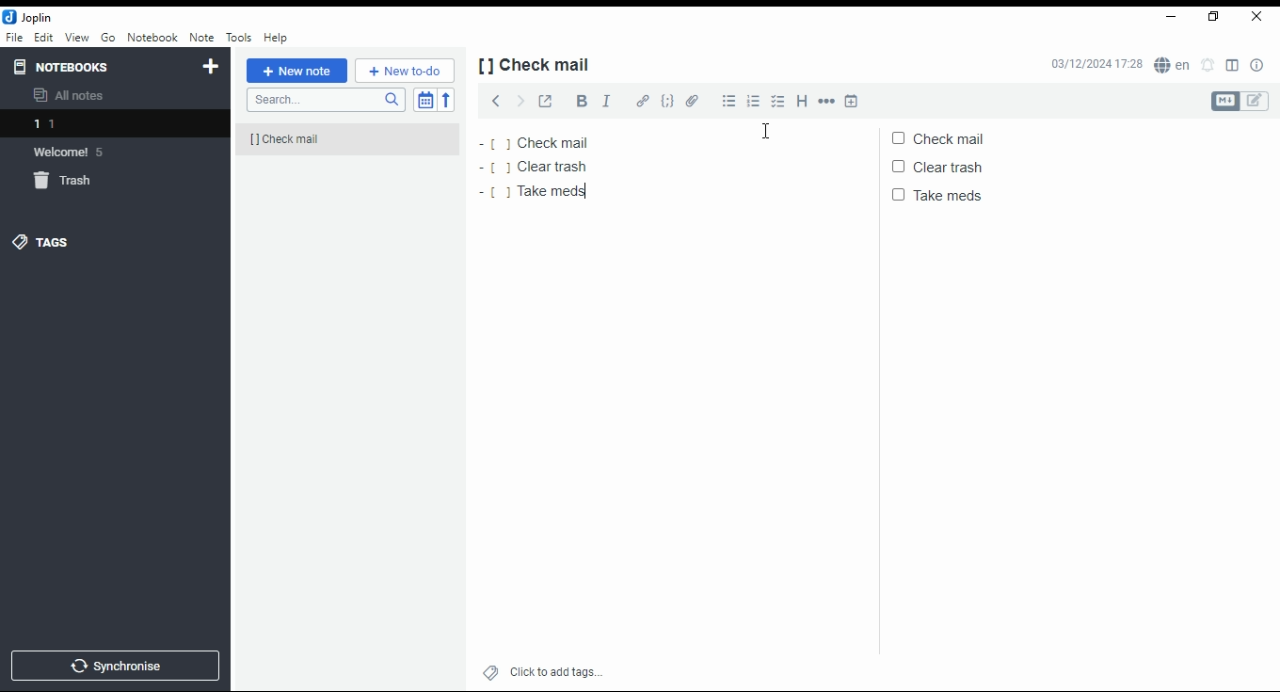 The height and width of the screenshot is (692, 1280). What do you see at coordinates (14, 38) in the screenshot?
I see `file` at bounding box center [14, 38].